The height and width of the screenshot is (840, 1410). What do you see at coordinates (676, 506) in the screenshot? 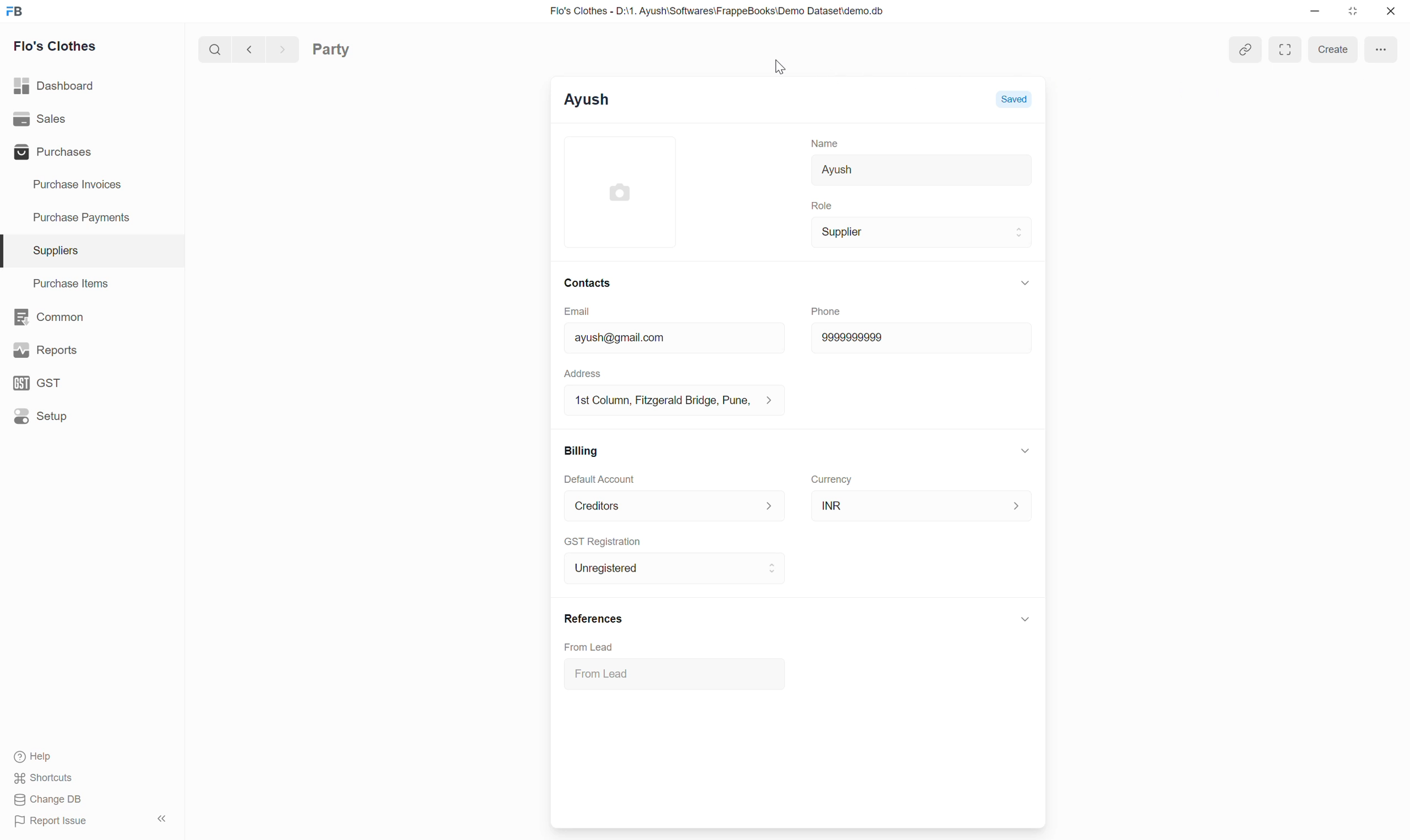
I see `Default Account` at bounding box center [676, 506].